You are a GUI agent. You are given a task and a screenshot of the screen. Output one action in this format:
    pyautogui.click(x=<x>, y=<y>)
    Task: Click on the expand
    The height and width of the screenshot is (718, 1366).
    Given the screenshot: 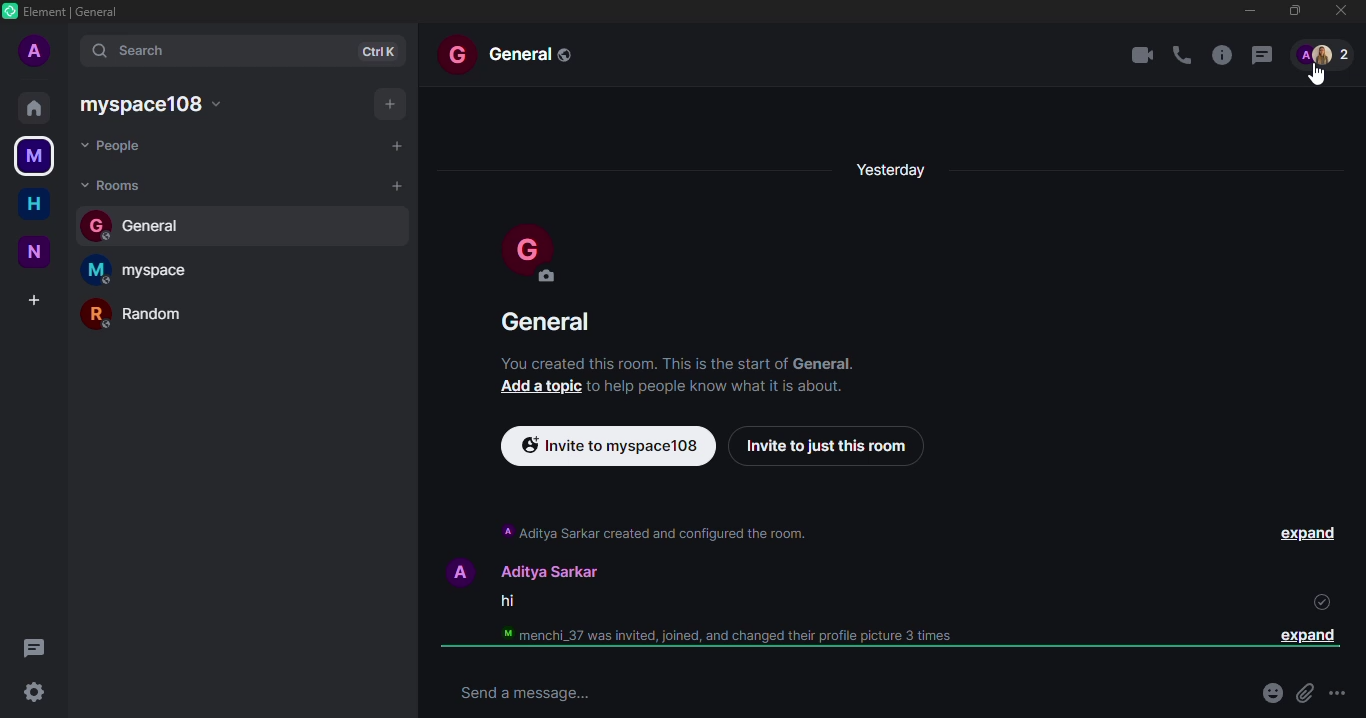 What is the action you would take?
    pyautogui.click(x=1312, y=534)
    